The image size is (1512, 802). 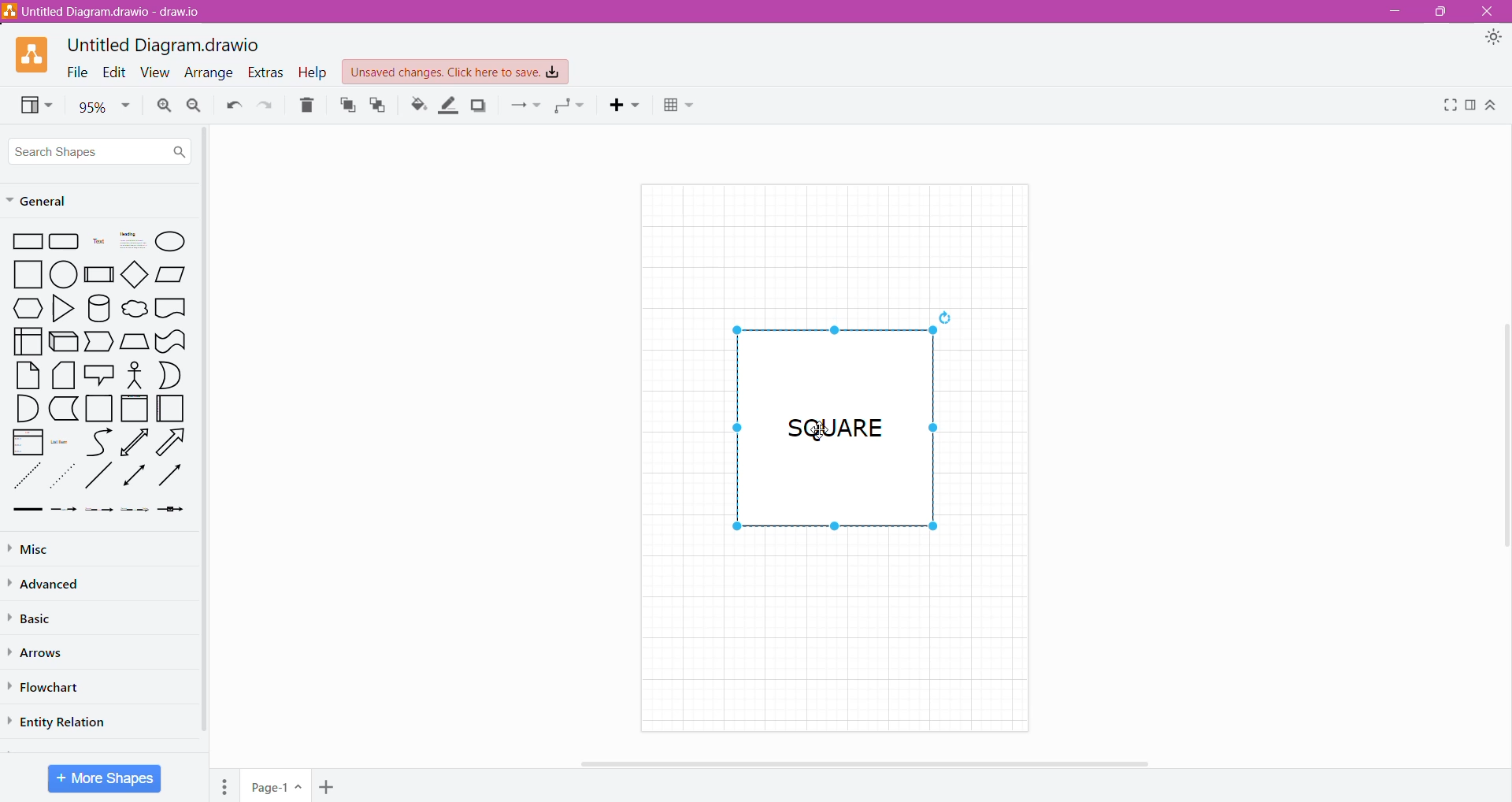 What do you see at coordinates (172, 242) in the screenshot?
I see `Ellipse` at bounding box center [172, 242].